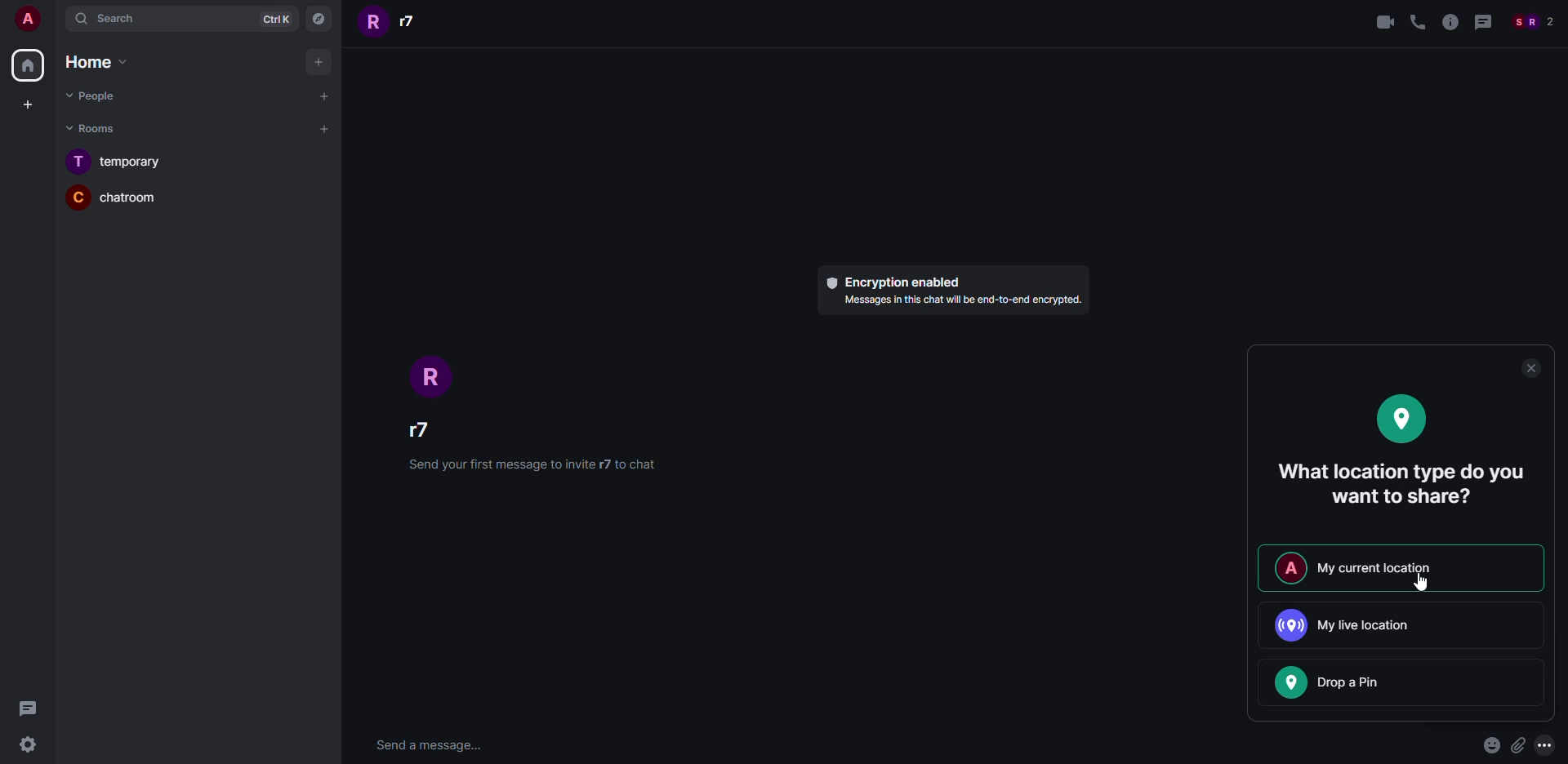  I want to click on live location, so click(1409, 626).